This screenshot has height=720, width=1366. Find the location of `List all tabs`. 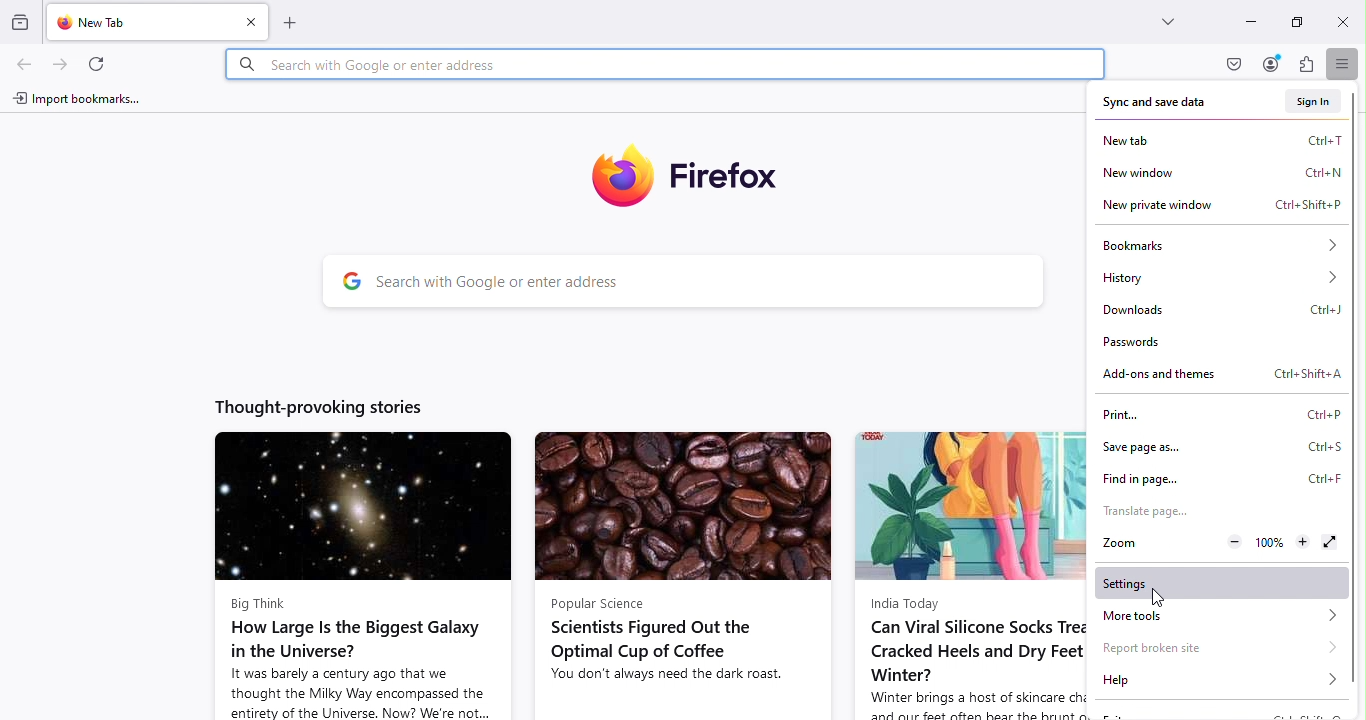

List all tabs is located at coordinates (1158, 19).